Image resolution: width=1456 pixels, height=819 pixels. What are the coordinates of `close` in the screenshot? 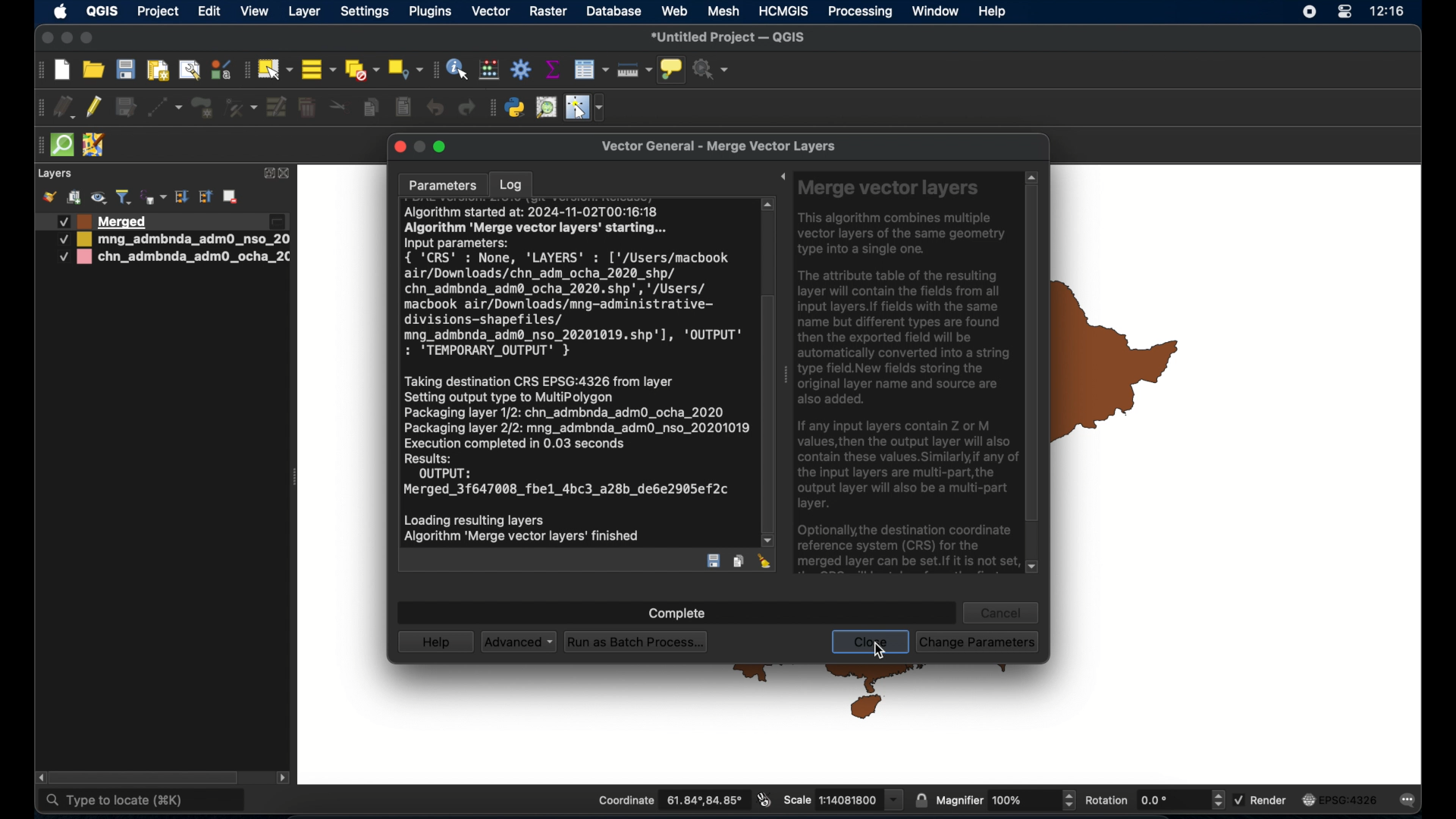 It's located at (286, 174).